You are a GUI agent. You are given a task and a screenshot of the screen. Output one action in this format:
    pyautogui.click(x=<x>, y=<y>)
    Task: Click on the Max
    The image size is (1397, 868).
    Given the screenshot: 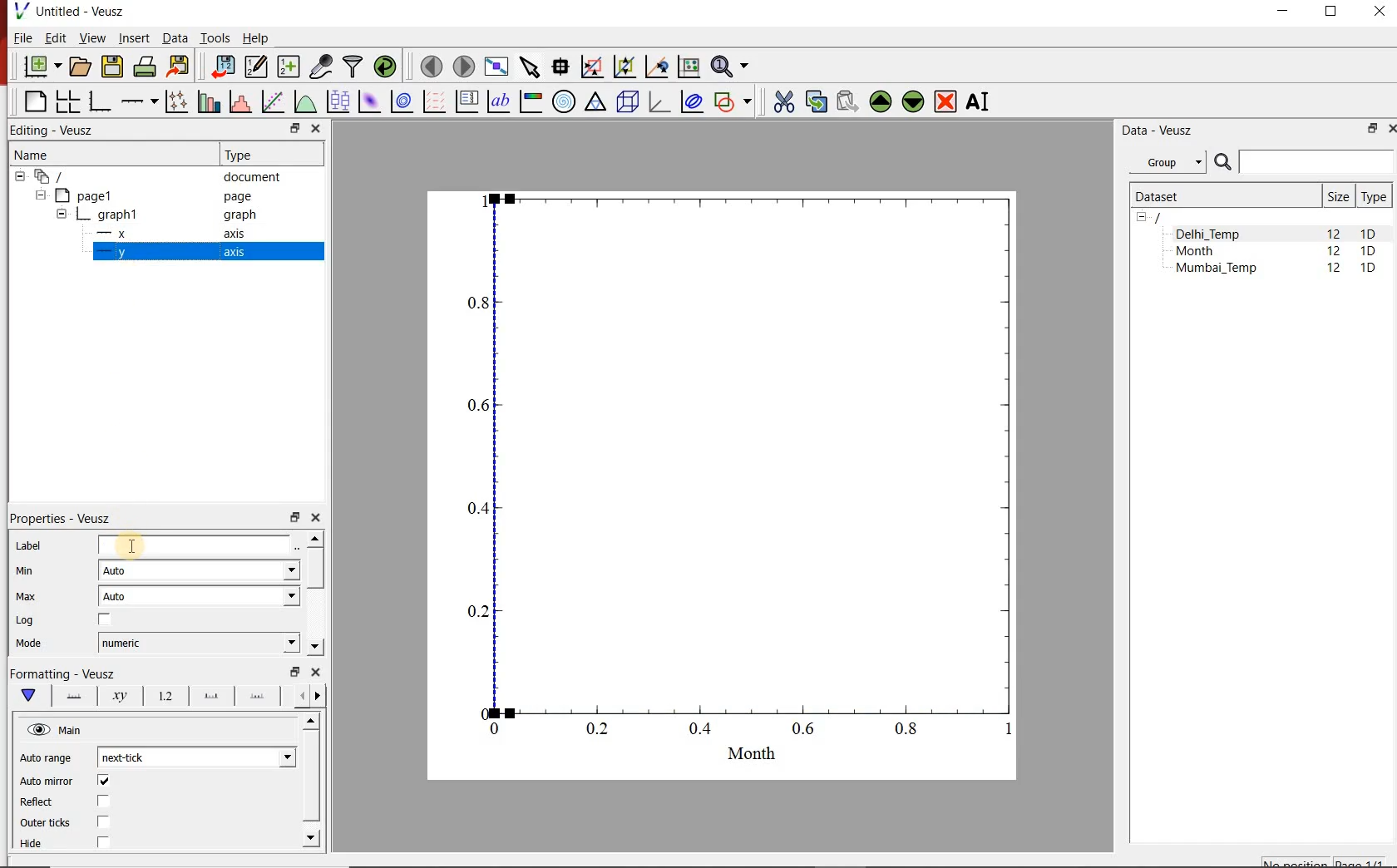 What is the action you would take?
    pyautogui.click(x=27, y=596)
    